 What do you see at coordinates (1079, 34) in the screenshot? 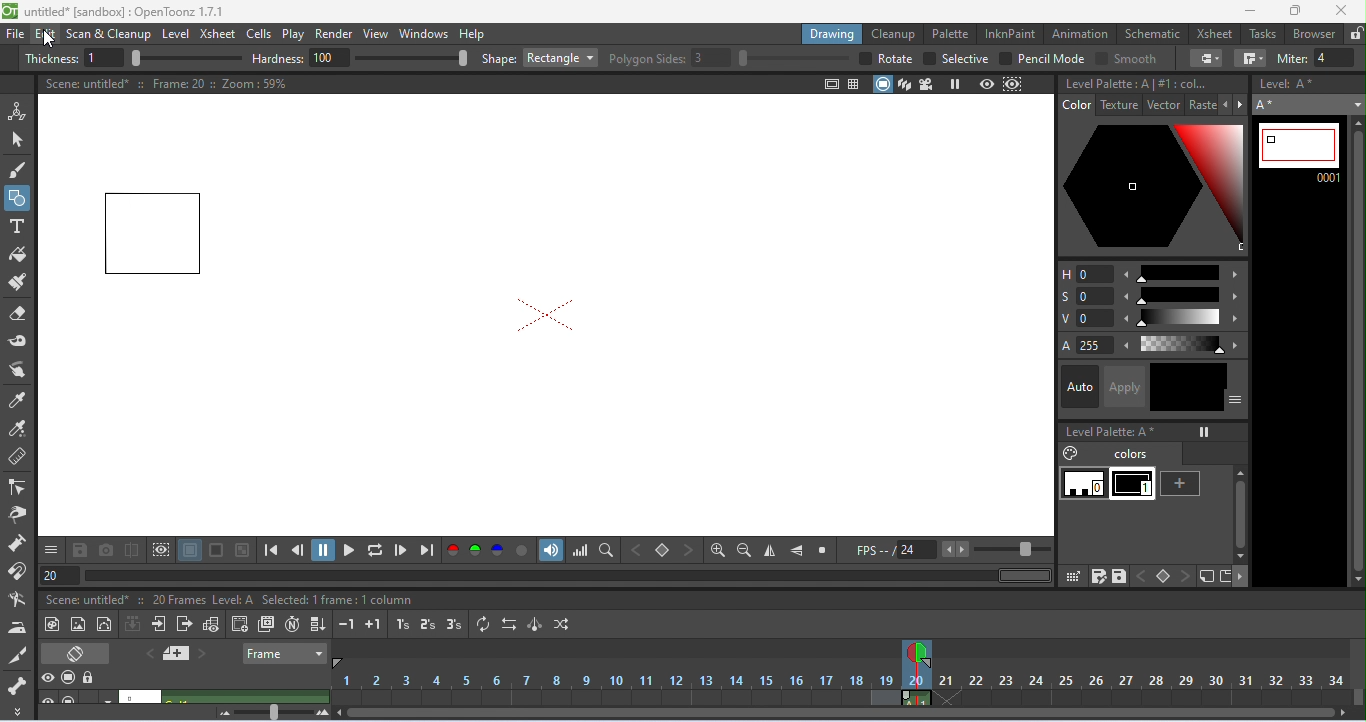
I see `animation` at bounding box center [1079, 34].